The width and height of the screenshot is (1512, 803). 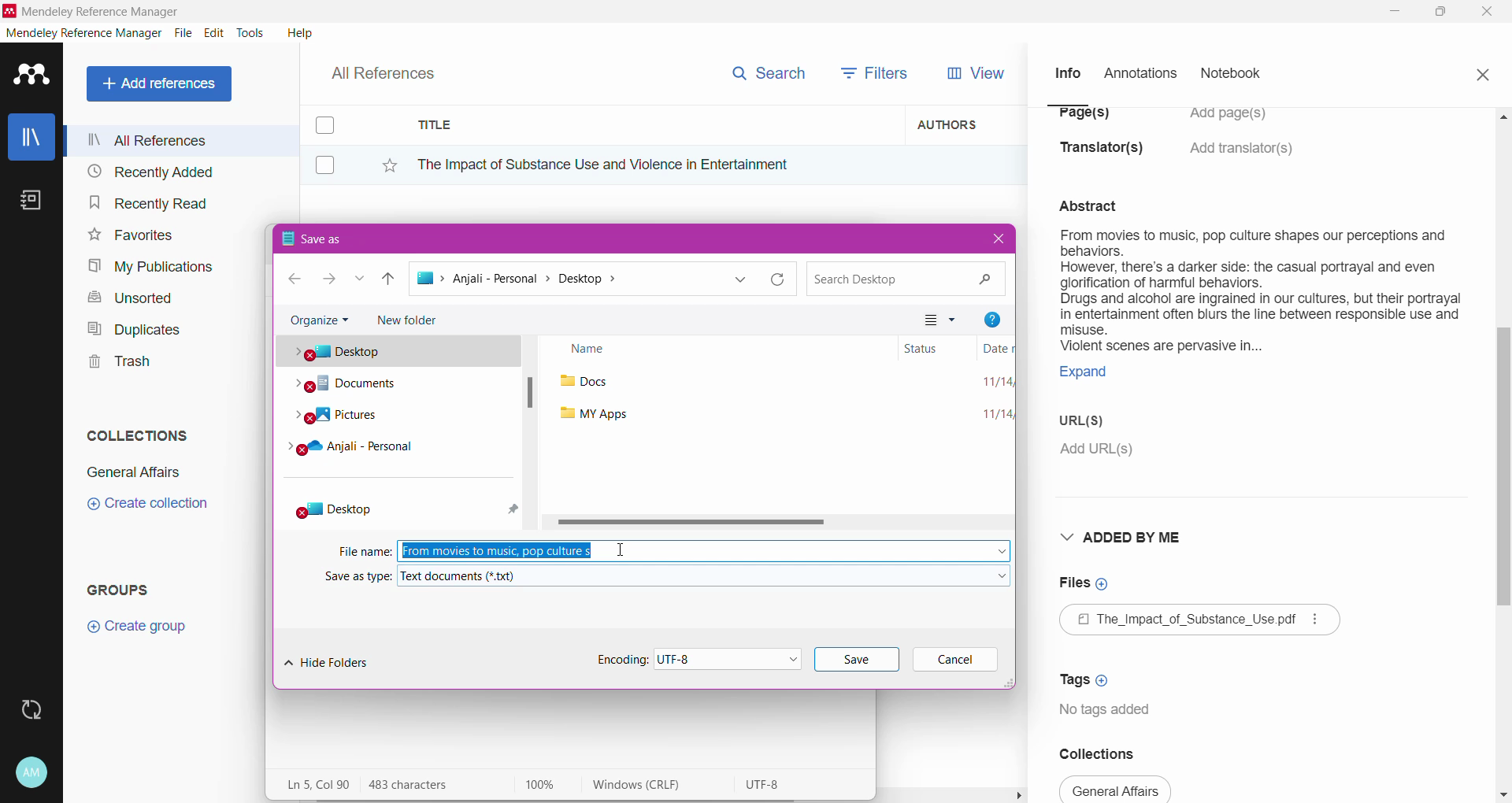 What do you see at coordinates (957, 661) in the screenshot?
I see `Cancel` at bounding box center [957, 661].